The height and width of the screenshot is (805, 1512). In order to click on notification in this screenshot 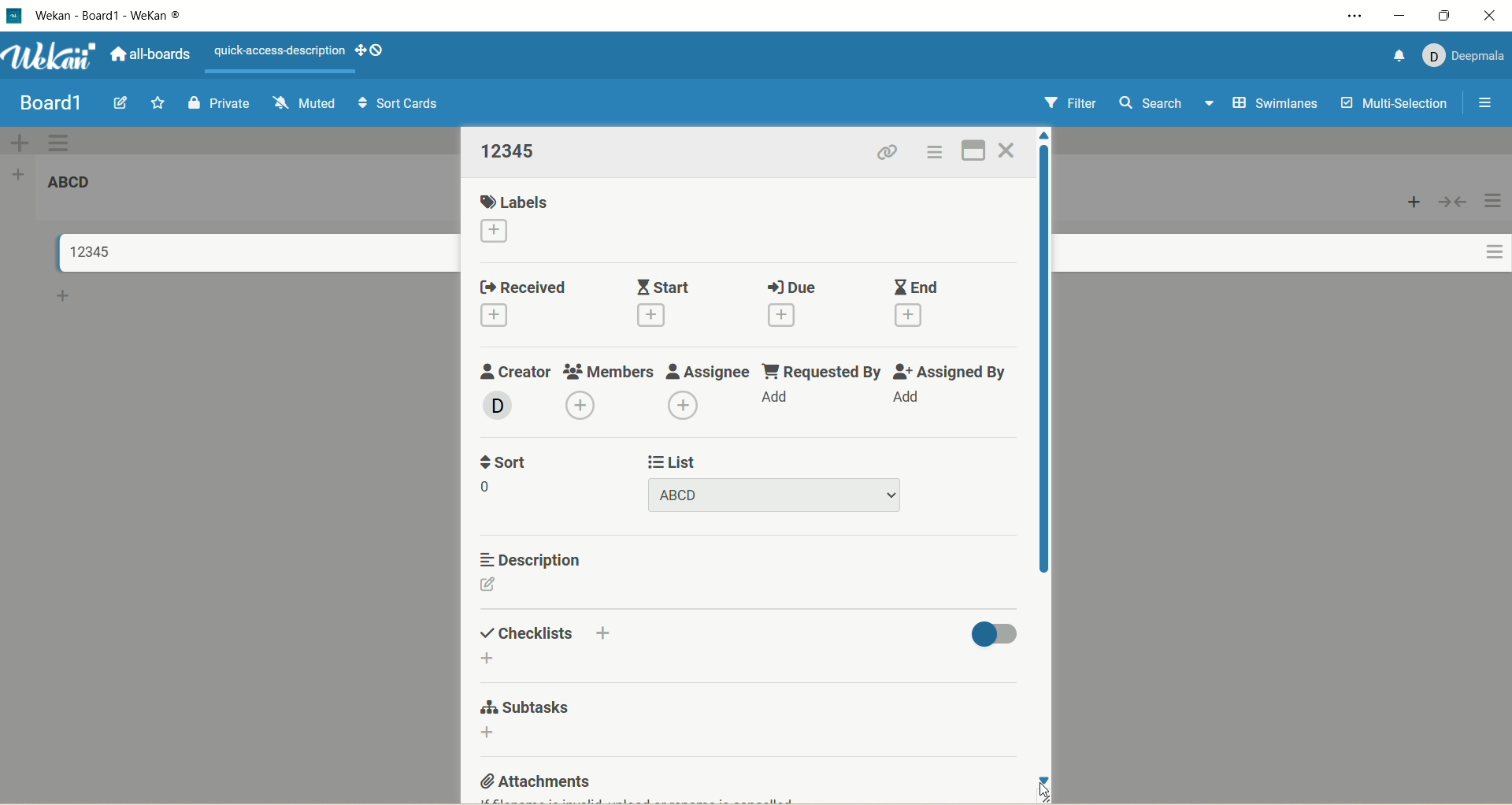, I will do `click(1393, 54)`.